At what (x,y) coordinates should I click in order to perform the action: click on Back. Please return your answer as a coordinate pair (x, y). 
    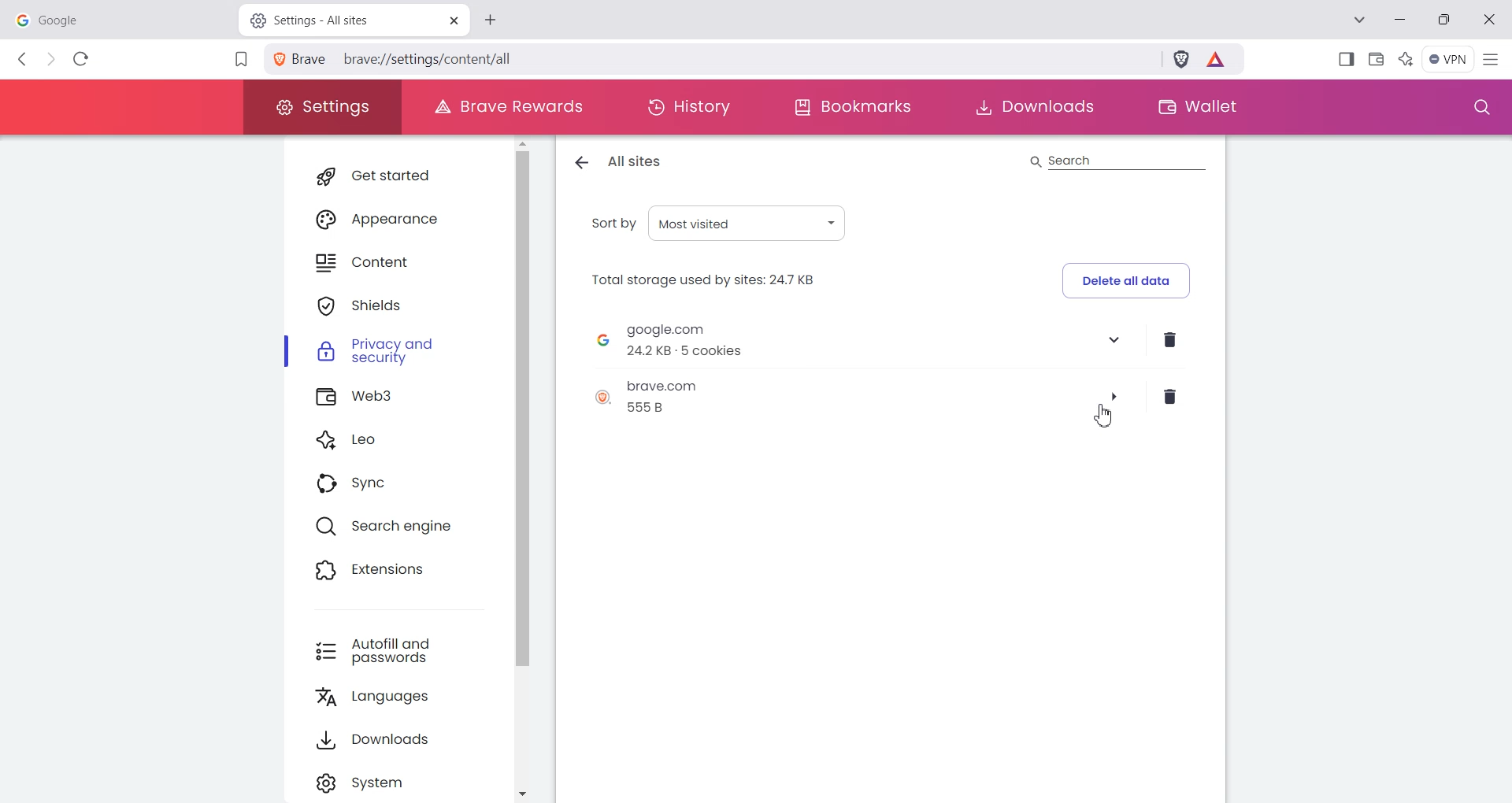
    Looking at the image, I should click on (24, 59).